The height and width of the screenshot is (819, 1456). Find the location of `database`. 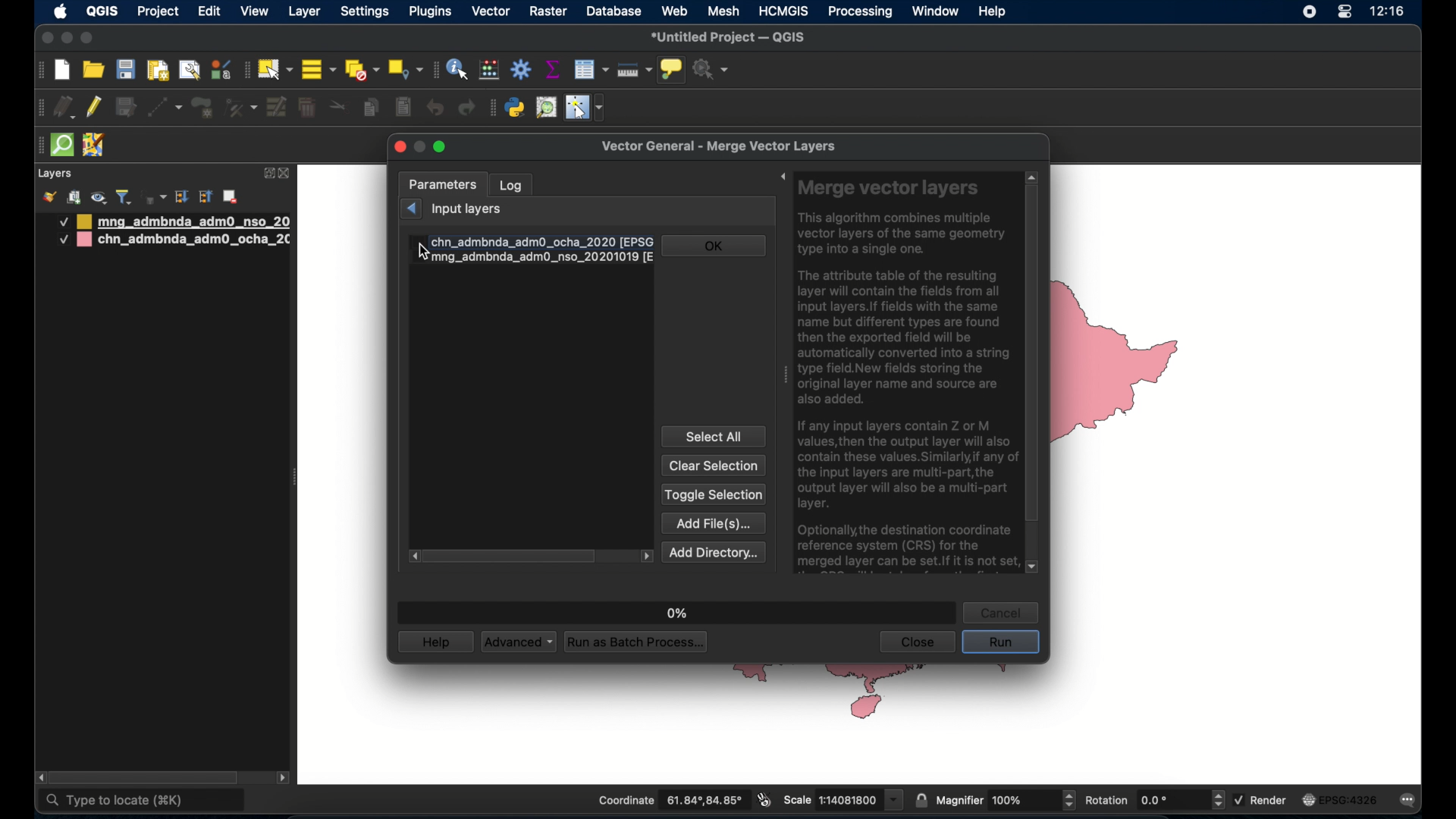

database is located at coordinates (614, 12).